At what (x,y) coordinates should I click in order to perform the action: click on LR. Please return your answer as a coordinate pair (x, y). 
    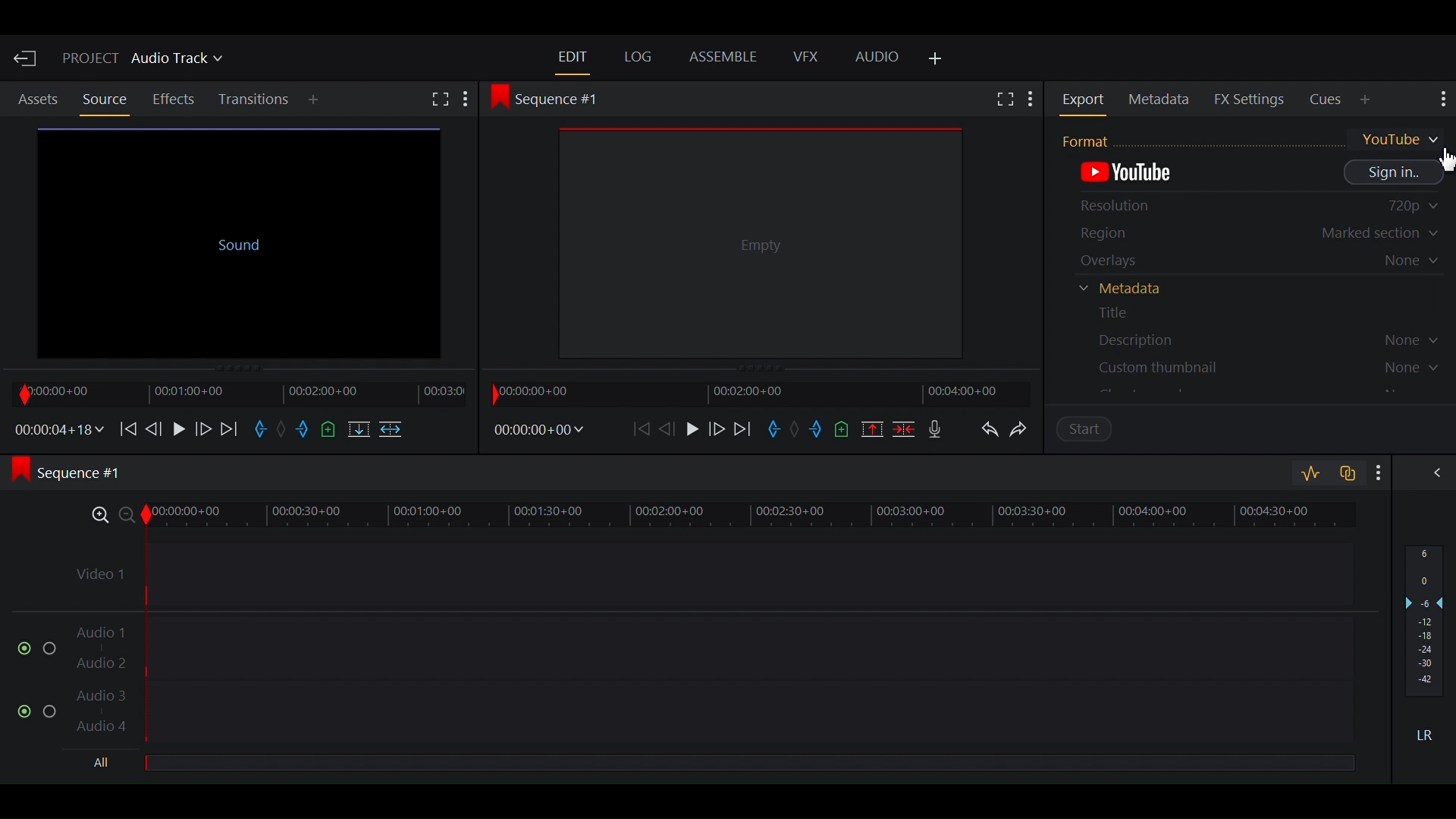
    Looking at the image, I should click on (1430, 735).